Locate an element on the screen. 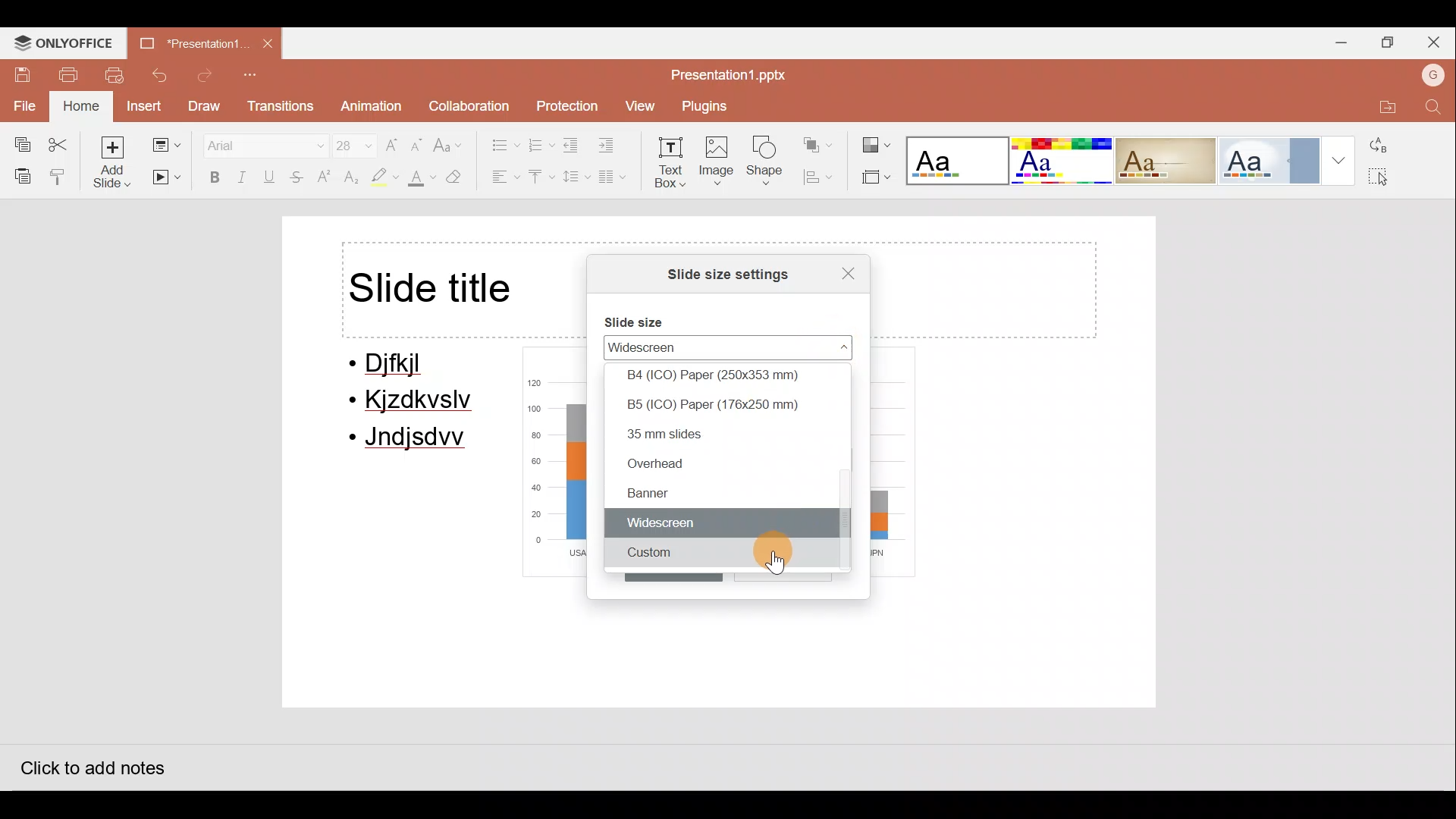 The width and height of the screenshot is (1456, 819). Clear style is located at coordinates (463, 177).